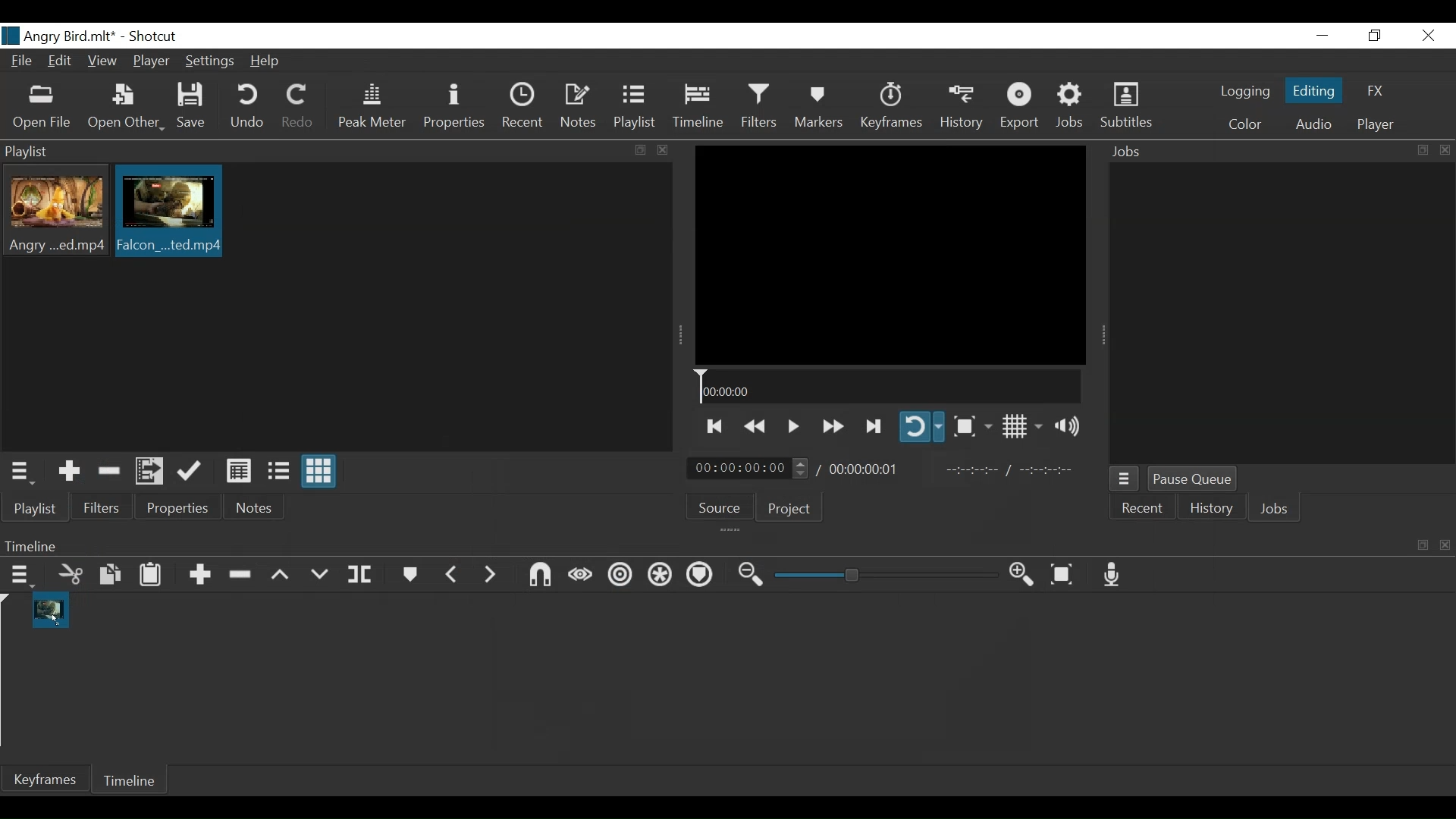 This screenshot has height=819, width=1456. What do you see at coordinates (492, 574) in the screenshot?
I see `Next Marker` at bounding box center [492, 574].